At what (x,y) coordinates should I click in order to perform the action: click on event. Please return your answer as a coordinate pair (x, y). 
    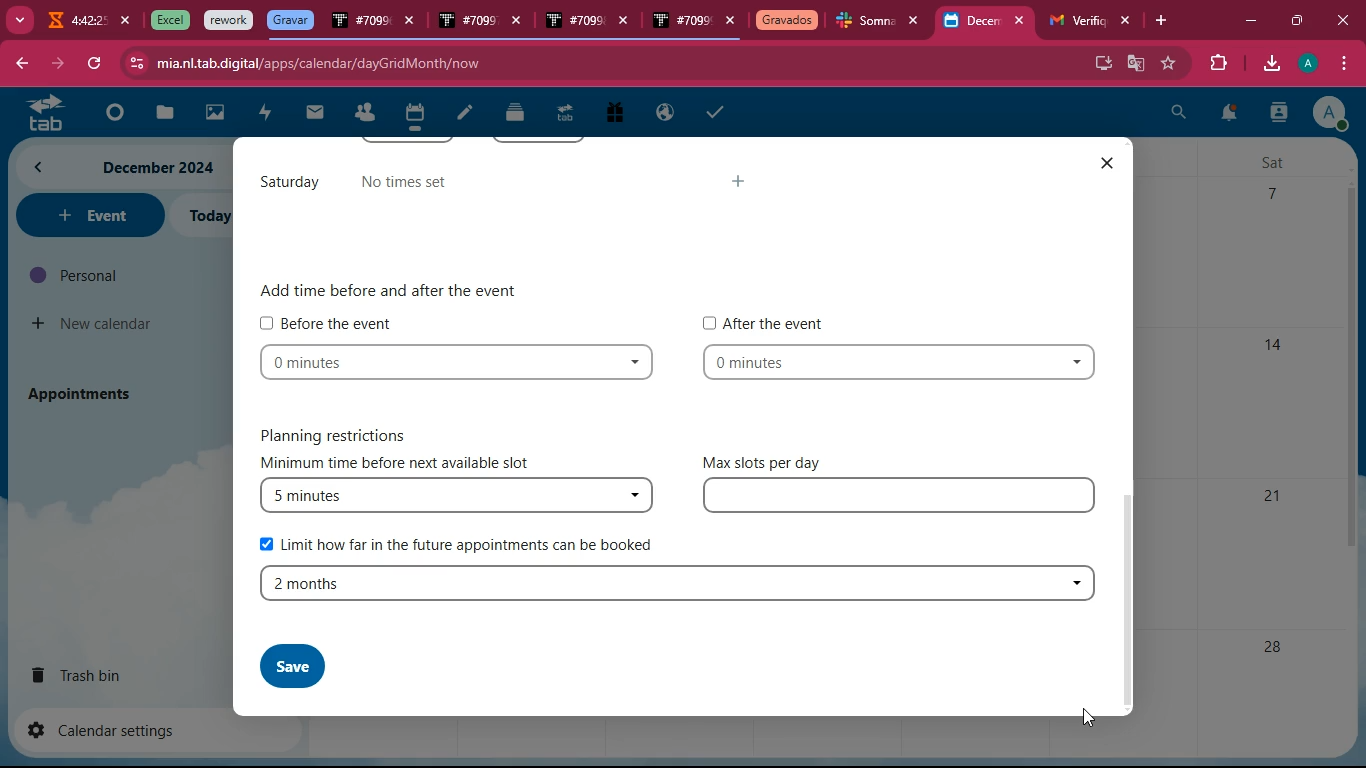
    Looking at the image, I should click on (88, 215).